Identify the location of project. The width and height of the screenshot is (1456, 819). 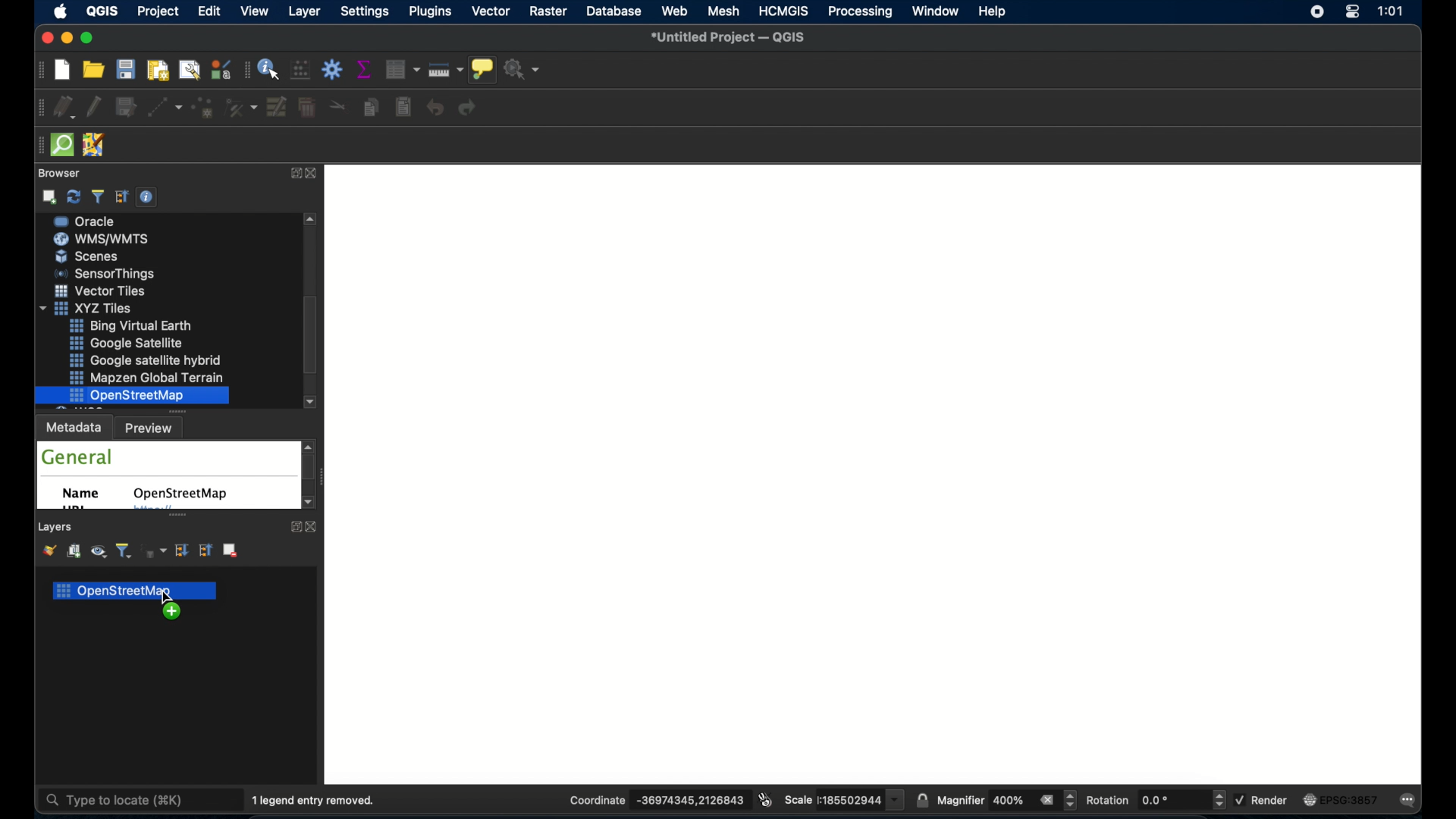
(158, 11).